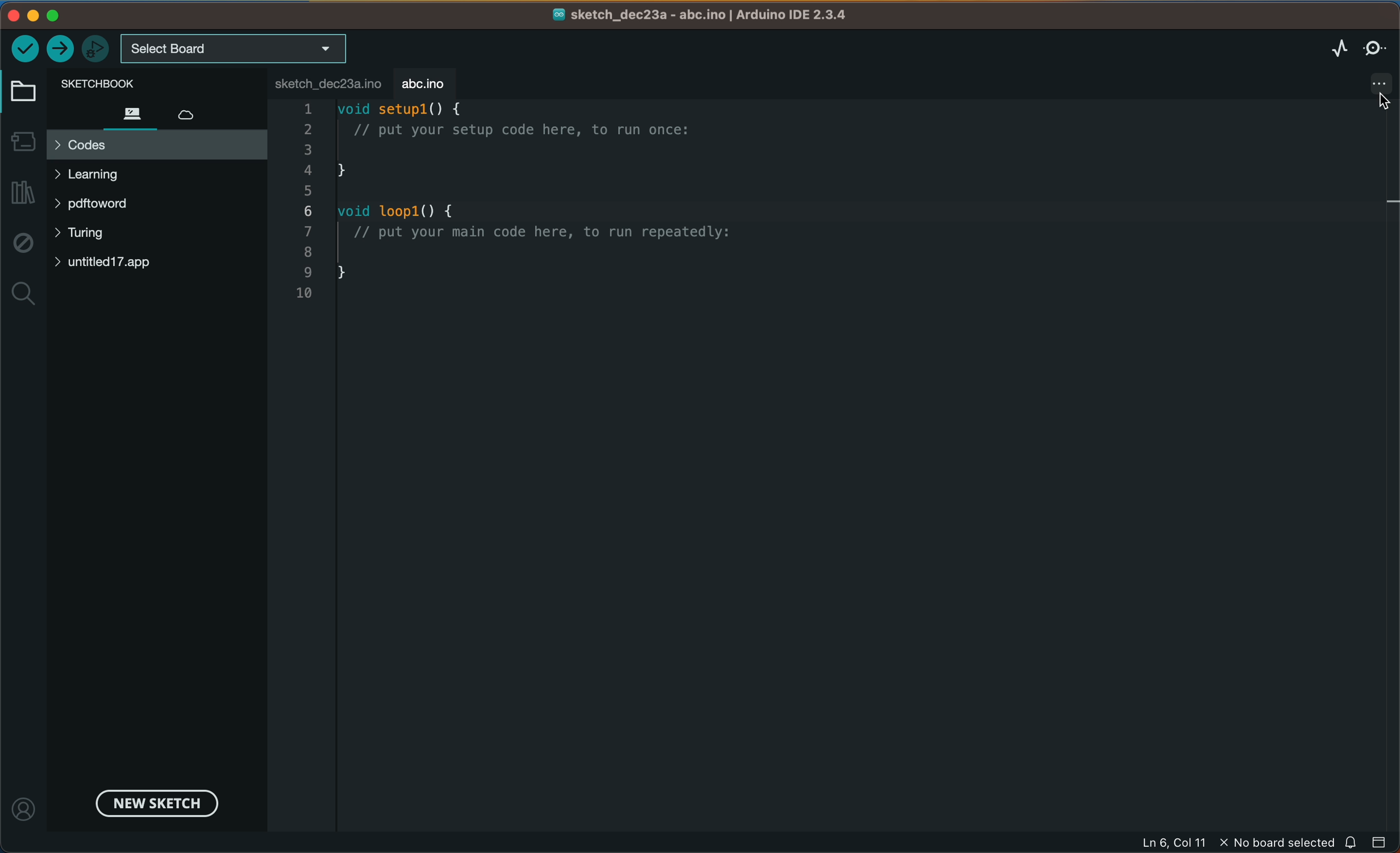 The image size is (1400, 853). I want to click on file tab, so click(331, 85).